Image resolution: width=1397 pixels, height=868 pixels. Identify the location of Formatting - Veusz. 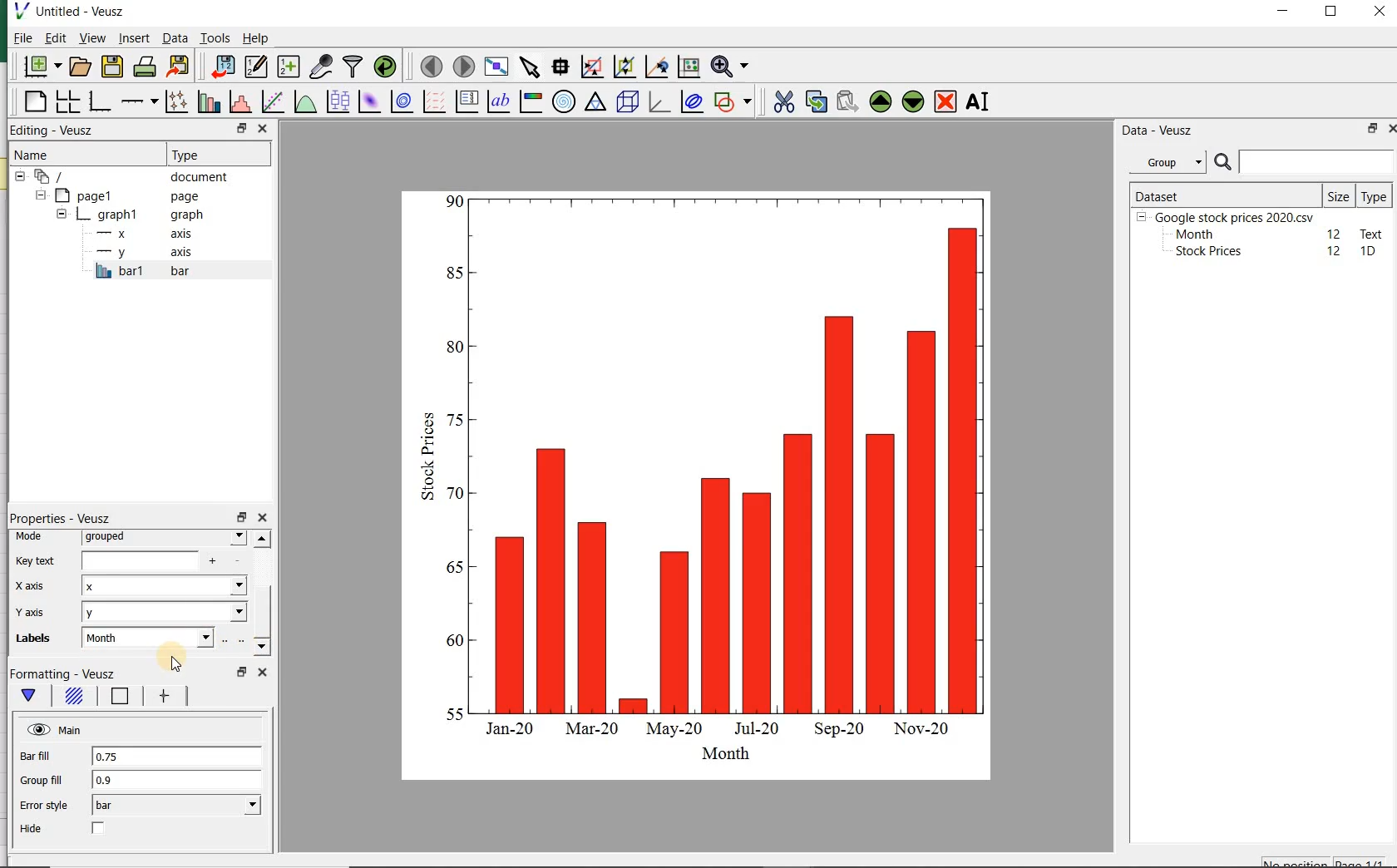
(66, 672).